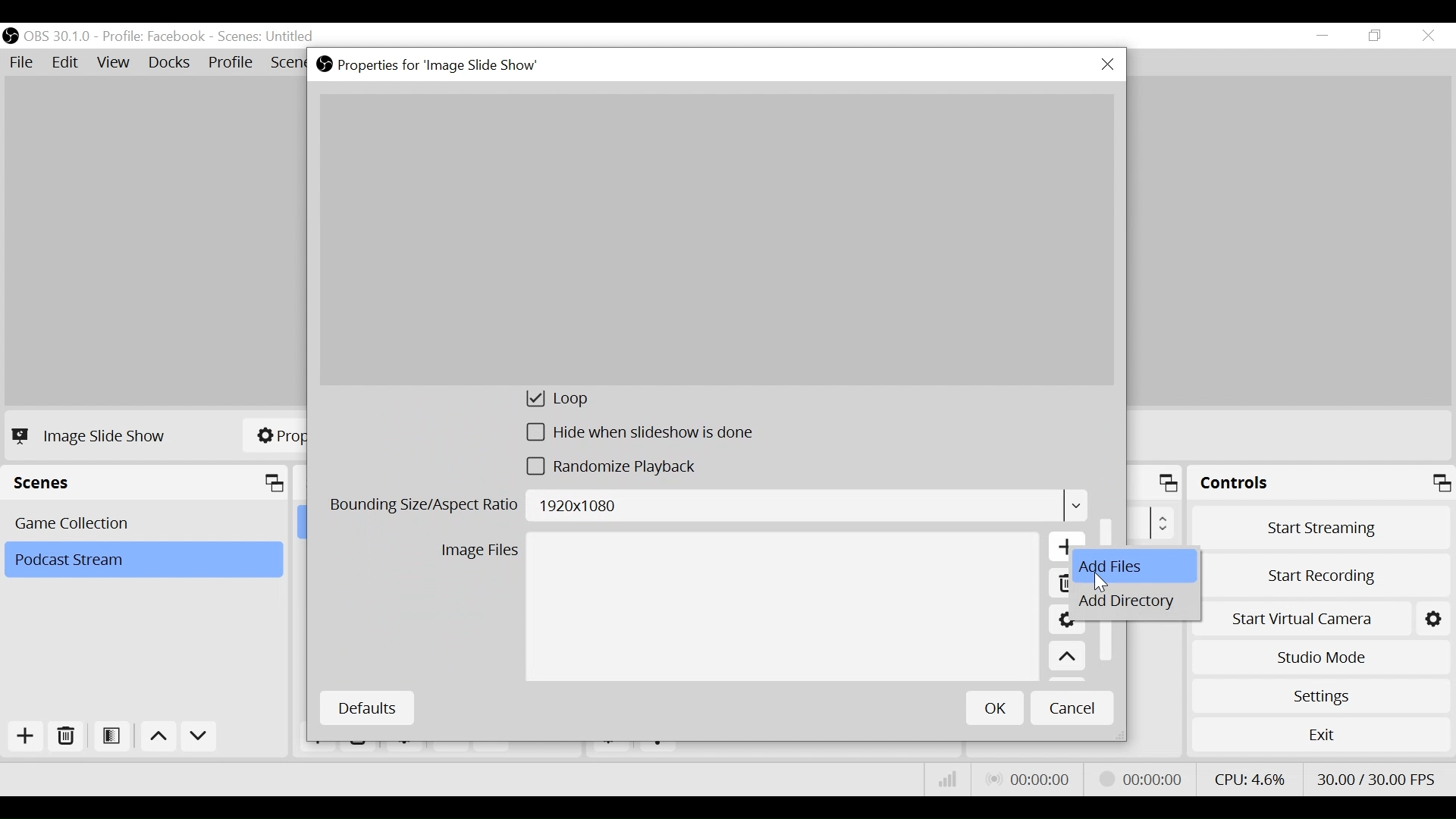 This screenshot has height=819, width=1456. I want to click on Cancel, so click(1072, 707).